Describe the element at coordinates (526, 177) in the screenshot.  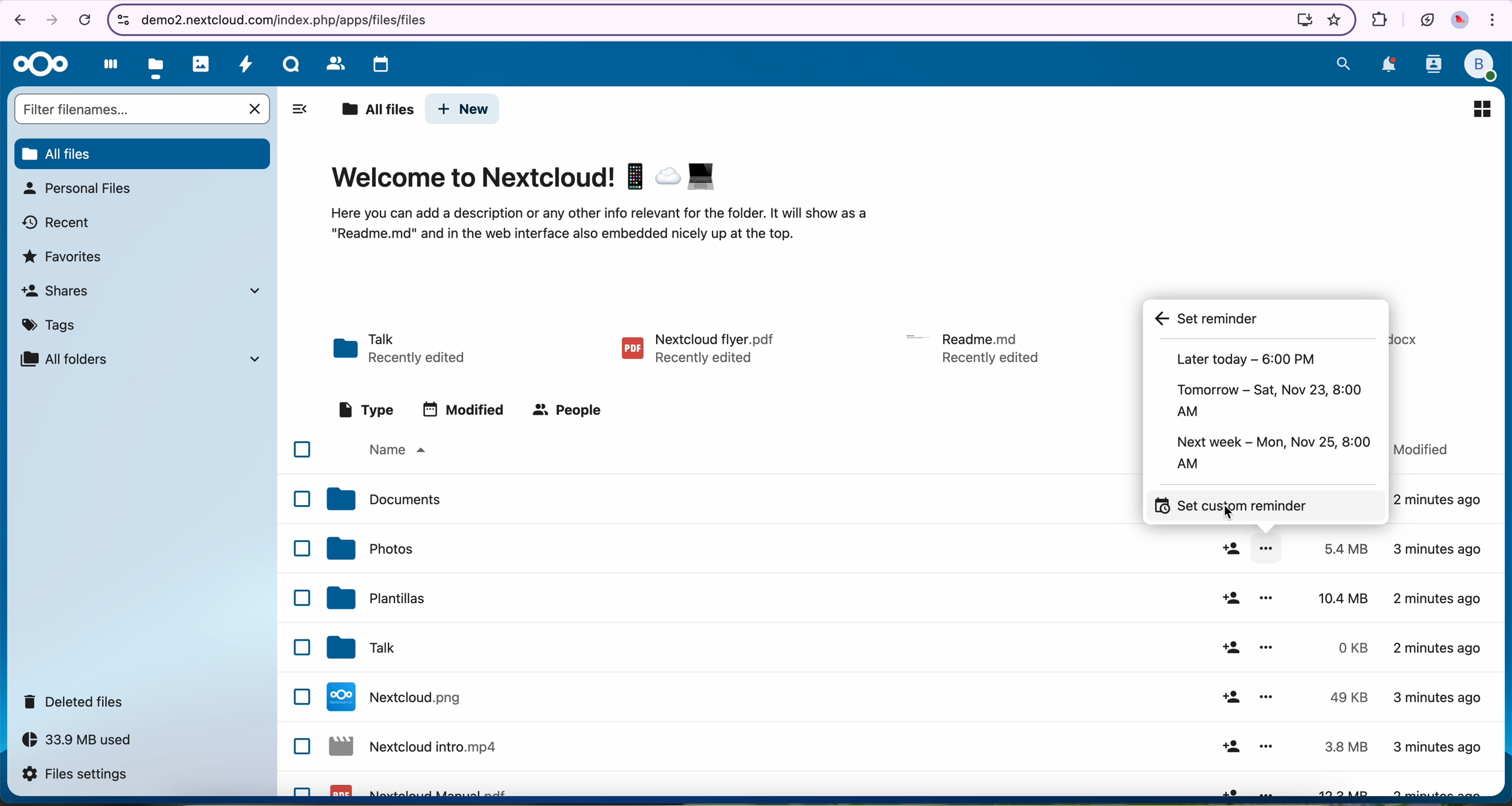
I see `Welcome to Nextcloud` at that location.